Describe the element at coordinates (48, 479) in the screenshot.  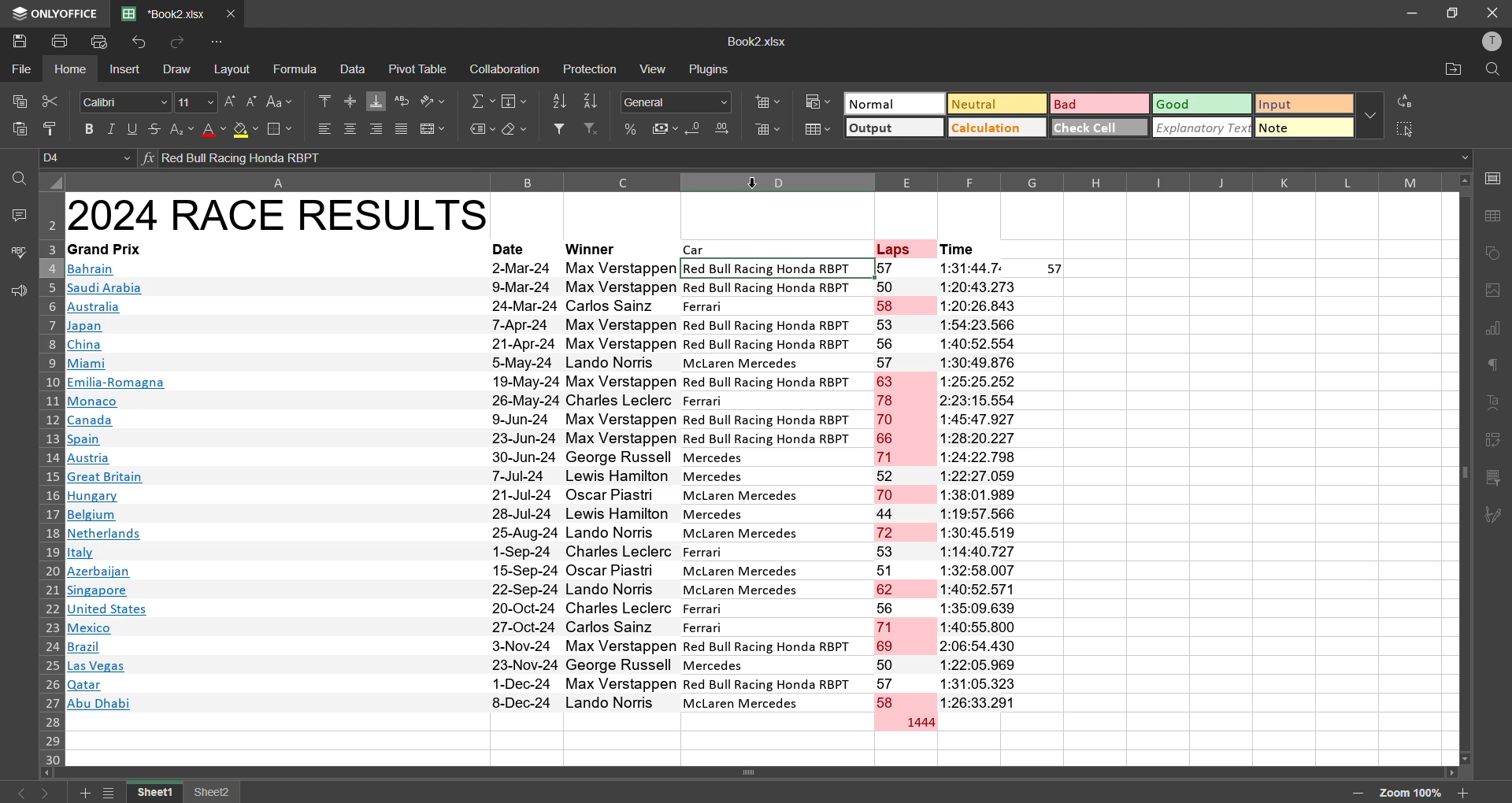
I see `row numbers` at that location.